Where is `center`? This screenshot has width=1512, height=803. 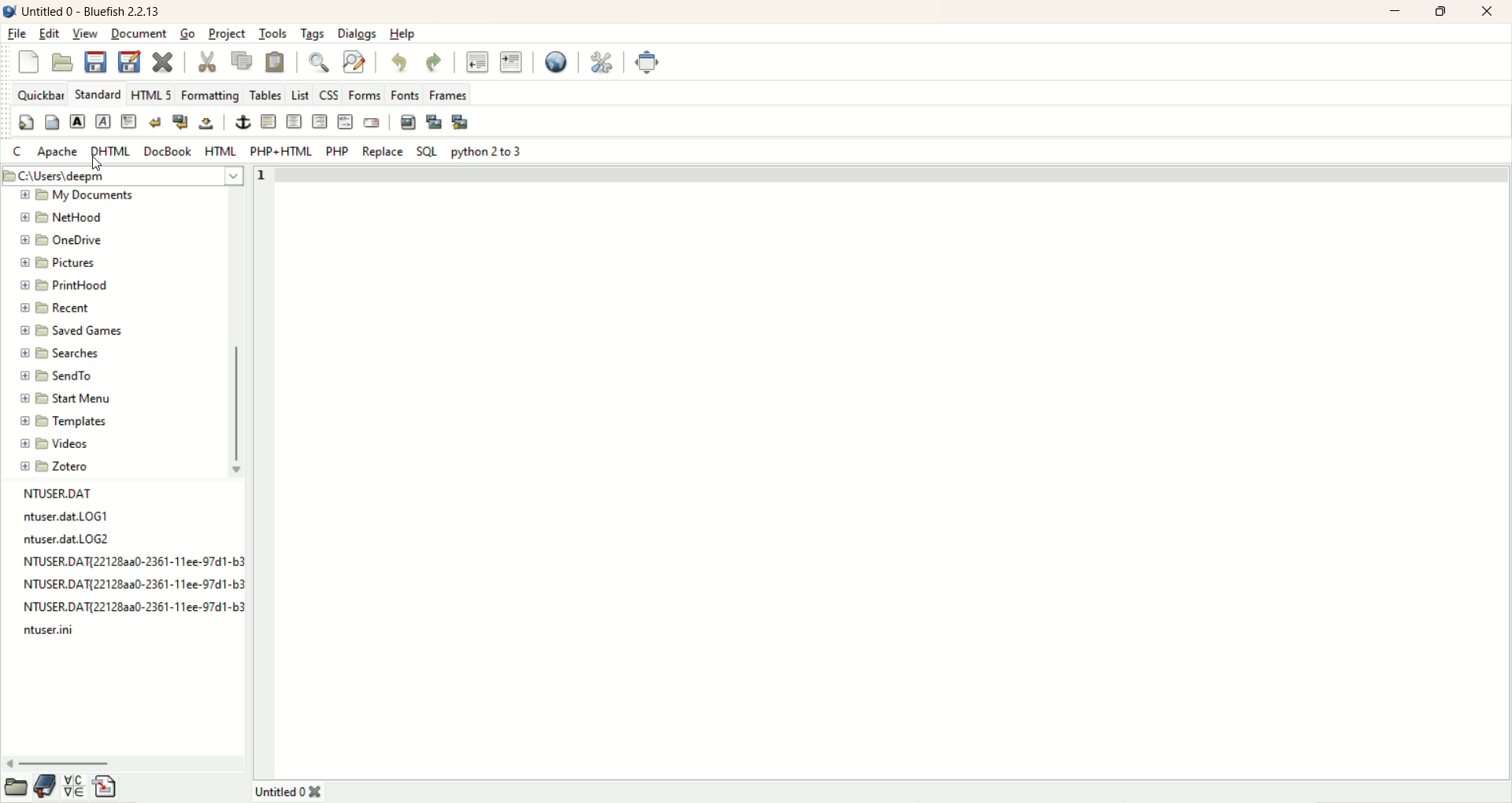
center is located at coordinates (292, 120).